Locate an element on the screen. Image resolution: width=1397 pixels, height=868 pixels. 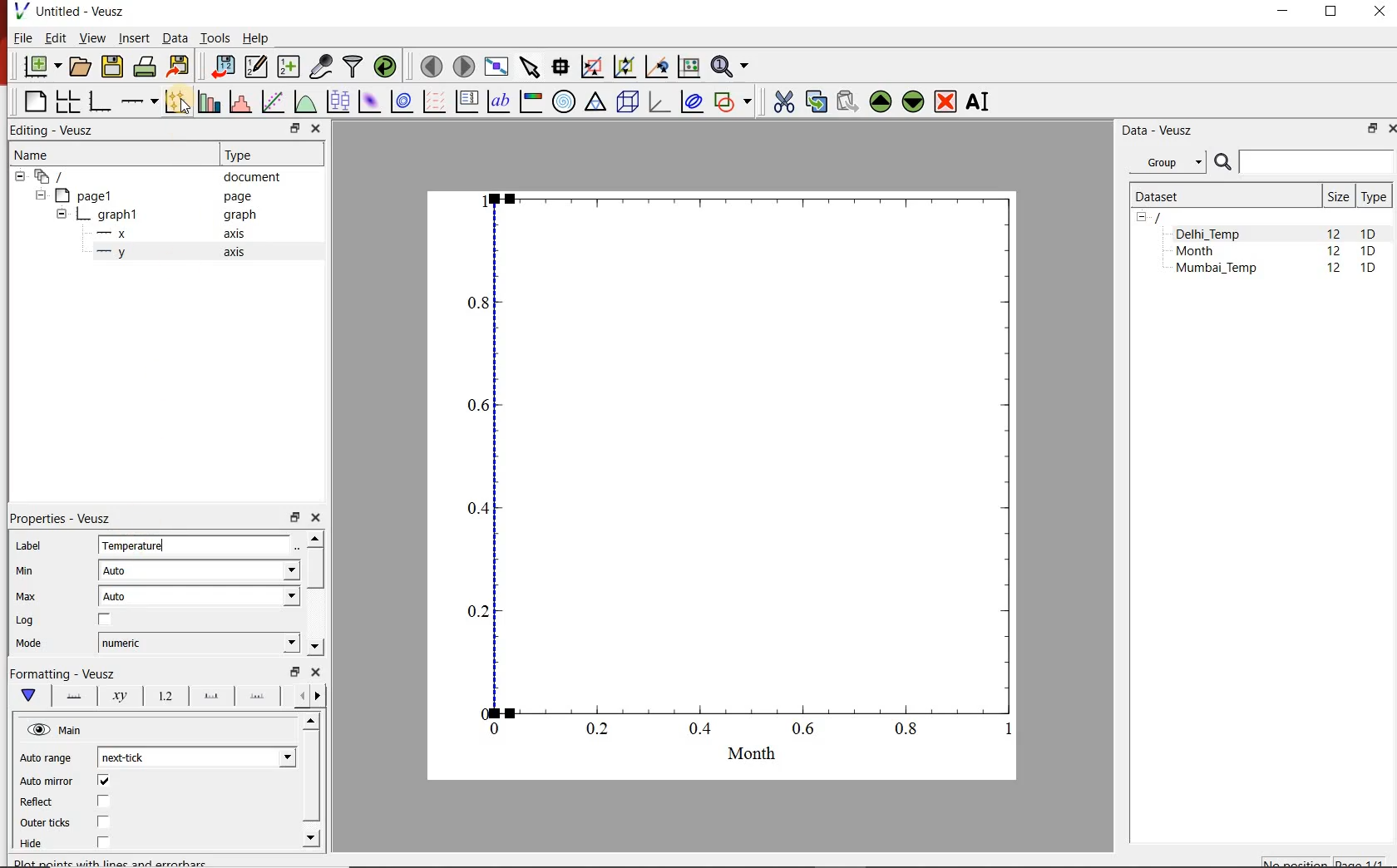
major ticks is located at coordinates (209, 696).